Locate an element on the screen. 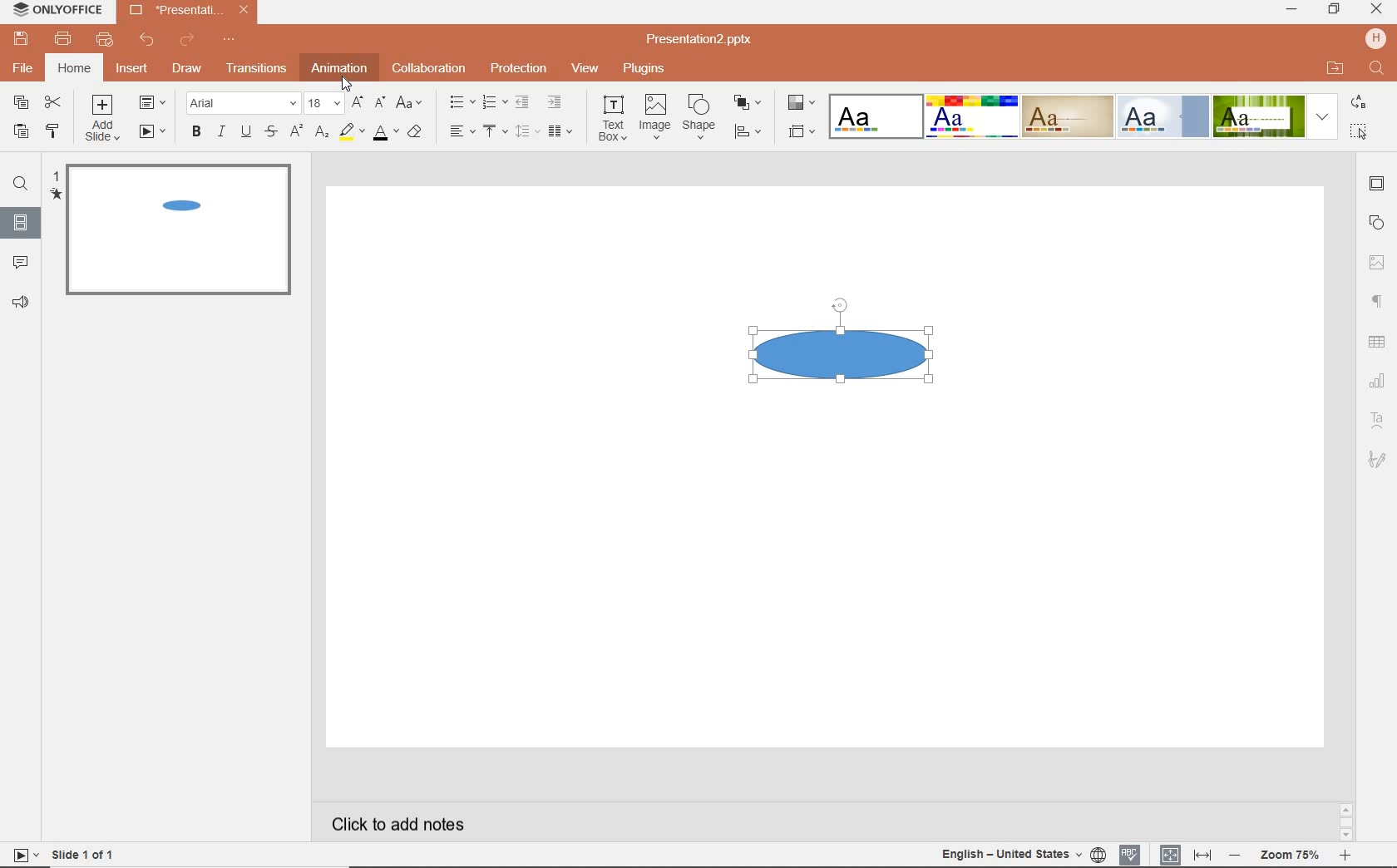 This screenshot has height=868, width=1397. select is located at coordinates (1358, 131).